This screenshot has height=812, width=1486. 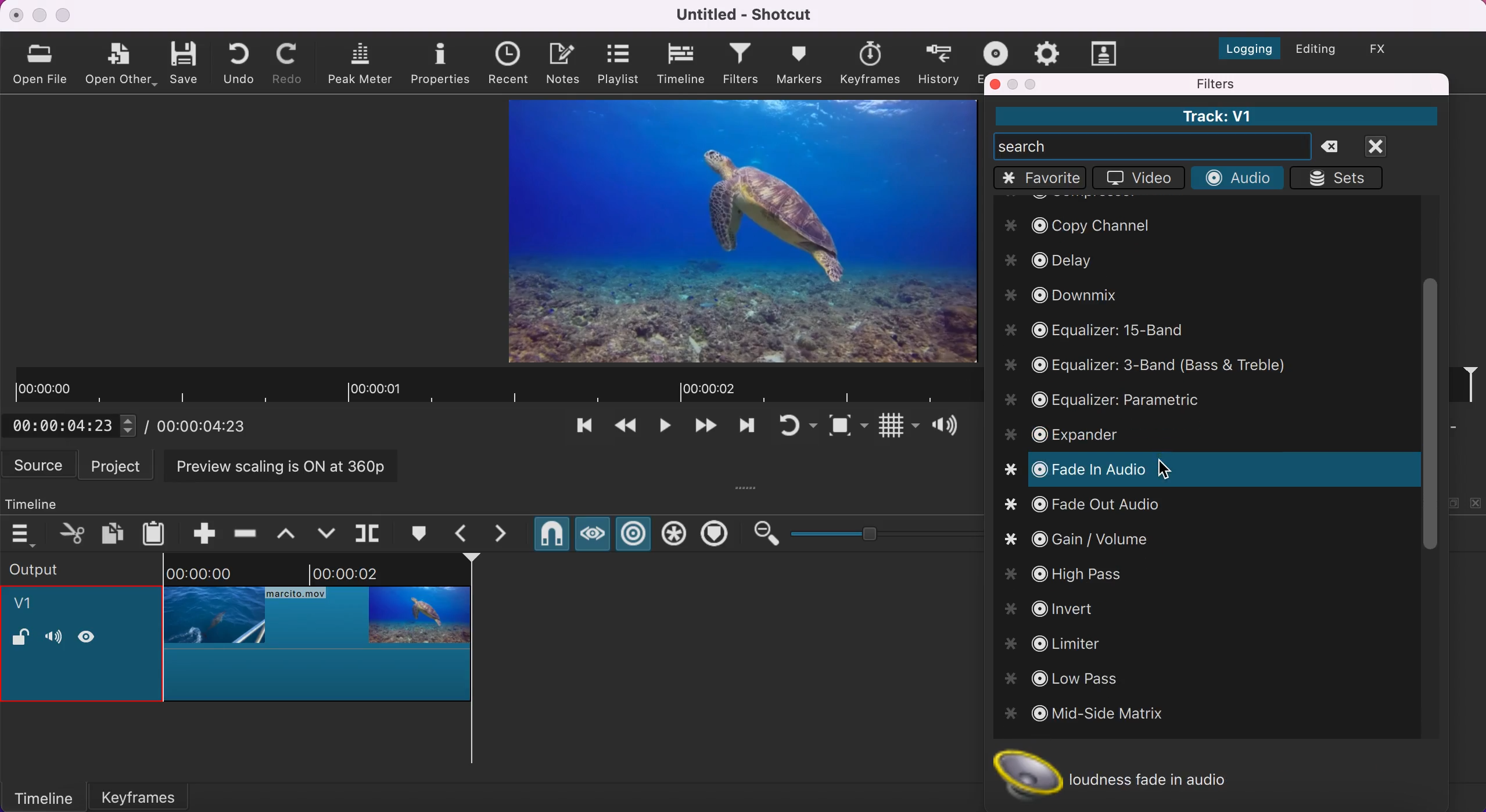 What do you see at coordinates (1033, 84) in the screenshot?
I see `maximize` at bounding box center [1033, 84].